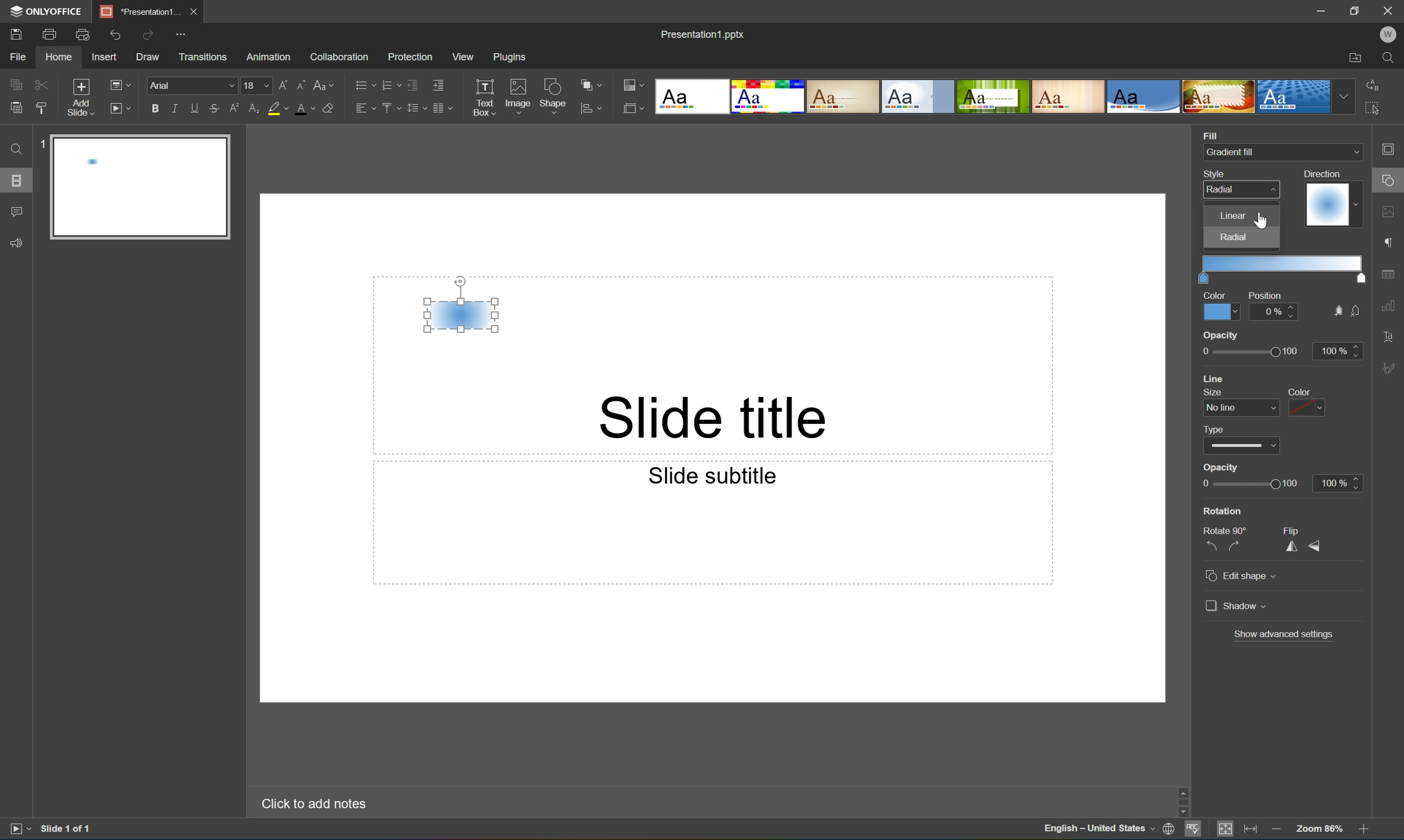 This screenshot has width=1404, height=840. What do you see at coordinates (14, 33) in the screenshot?
I see `Save` at bounding box center [14, 33].